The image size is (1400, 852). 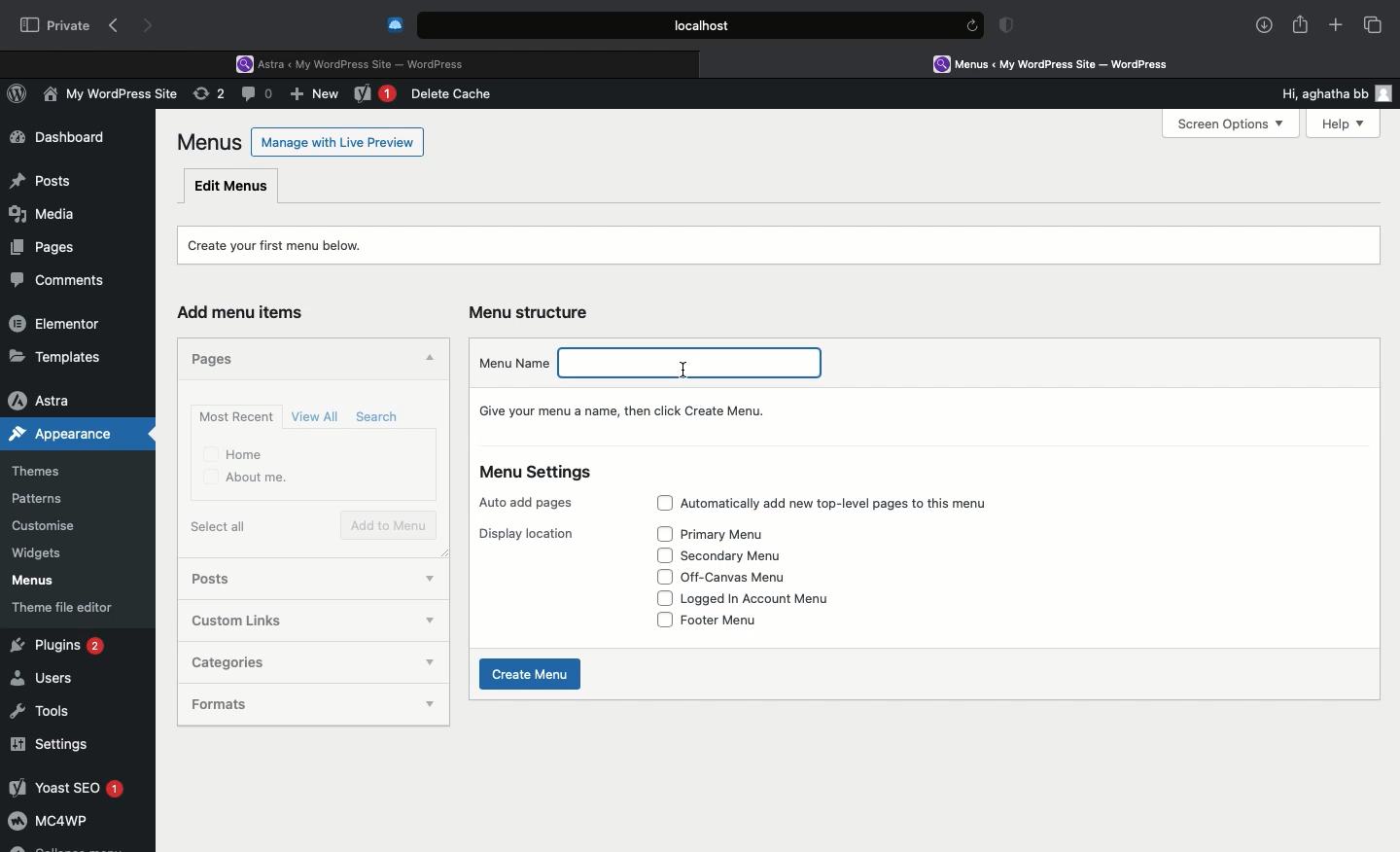 What do you see at coordinates (288, 243) in the screenshot?
I see `Create your first menu below` at bounding box center [288, 243].